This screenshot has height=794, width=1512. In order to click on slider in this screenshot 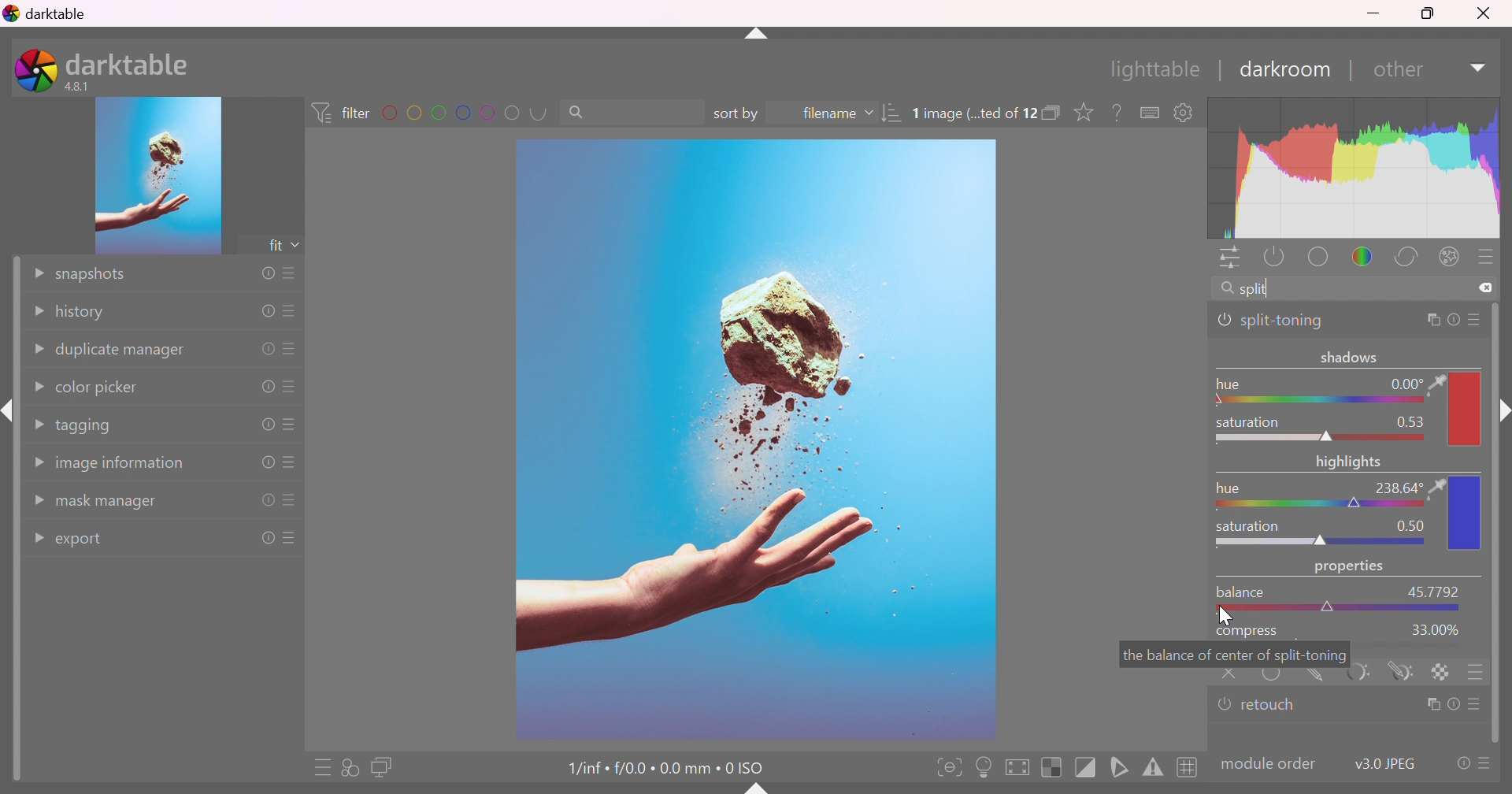, I will do `click(1325, 541)`.